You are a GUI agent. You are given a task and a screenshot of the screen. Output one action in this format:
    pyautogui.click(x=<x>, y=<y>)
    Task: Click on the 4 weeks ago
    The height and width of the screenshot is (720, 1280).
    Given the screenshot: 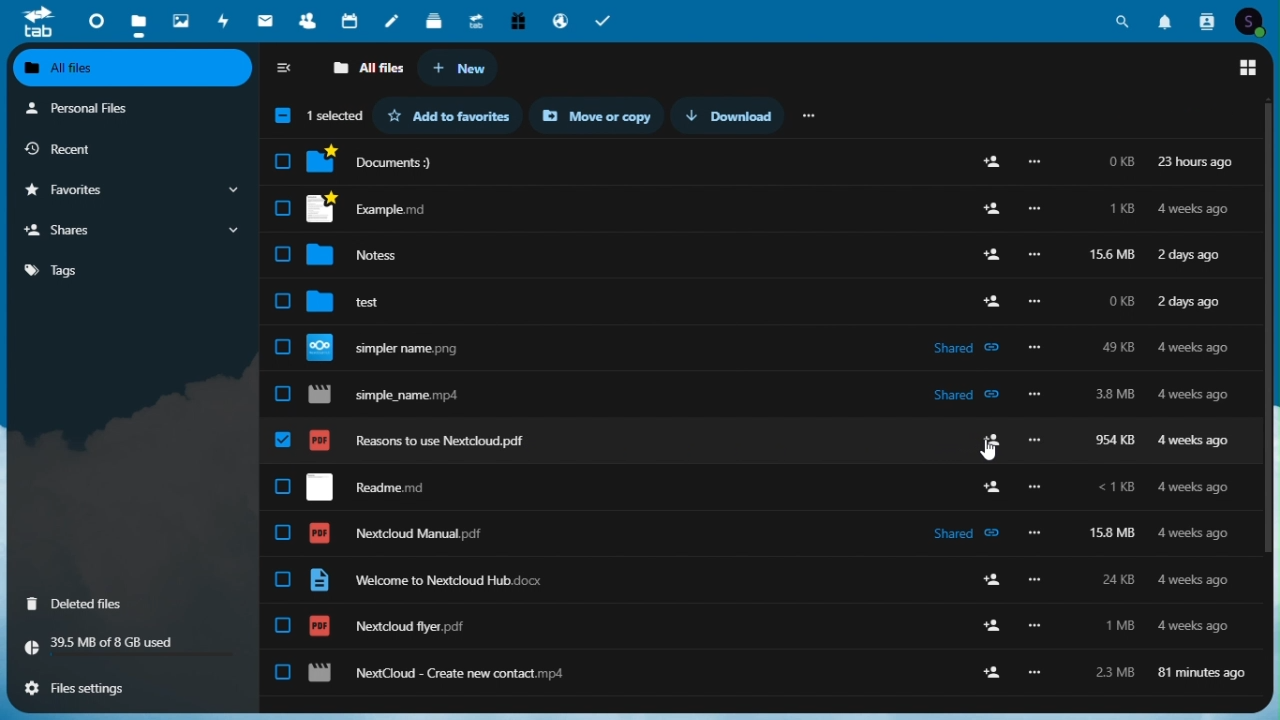 What is the action you would take?
    pyautogui.click(x=1196, y=442)
    